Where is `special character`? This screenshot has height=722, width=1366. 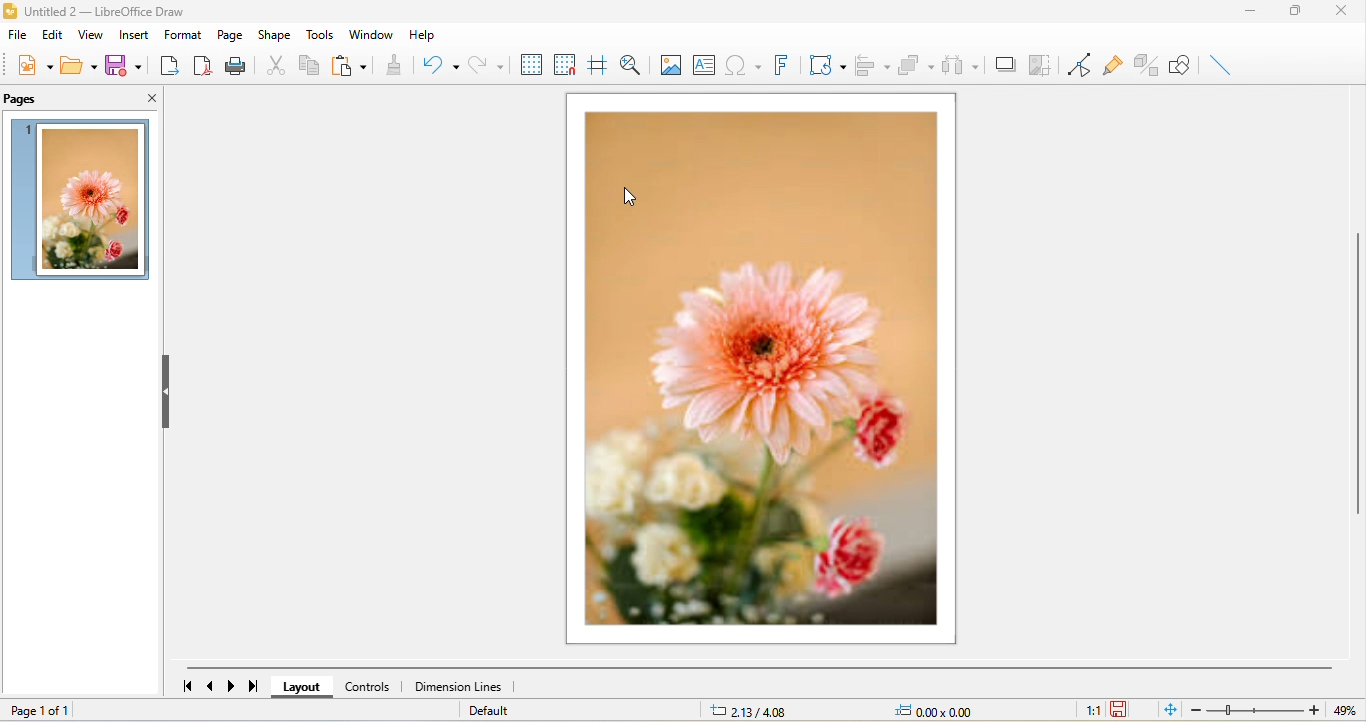
special character is located at coordinates (745, 66).